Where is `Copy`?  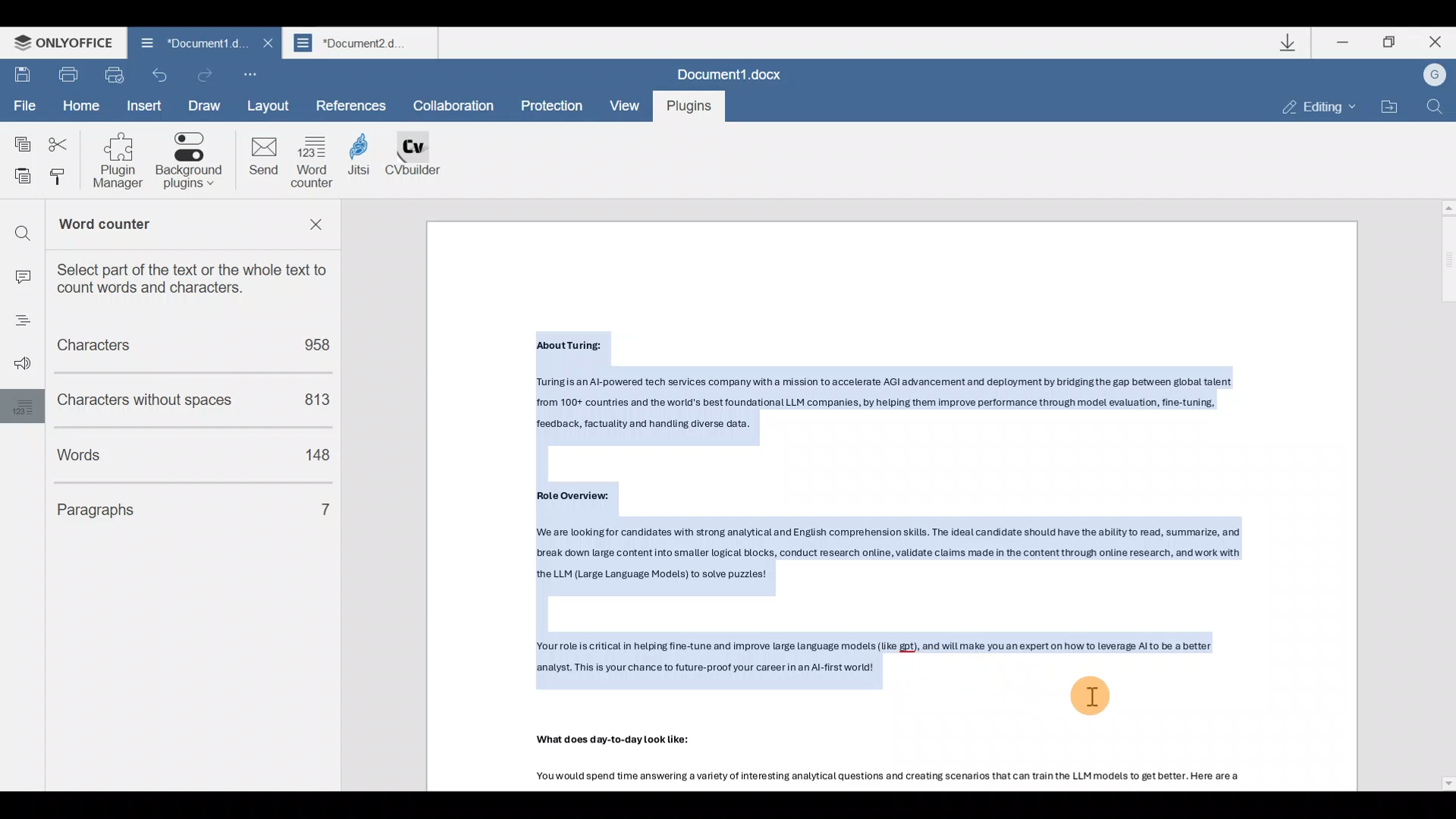
Copy is located at coordinates (20, 143).